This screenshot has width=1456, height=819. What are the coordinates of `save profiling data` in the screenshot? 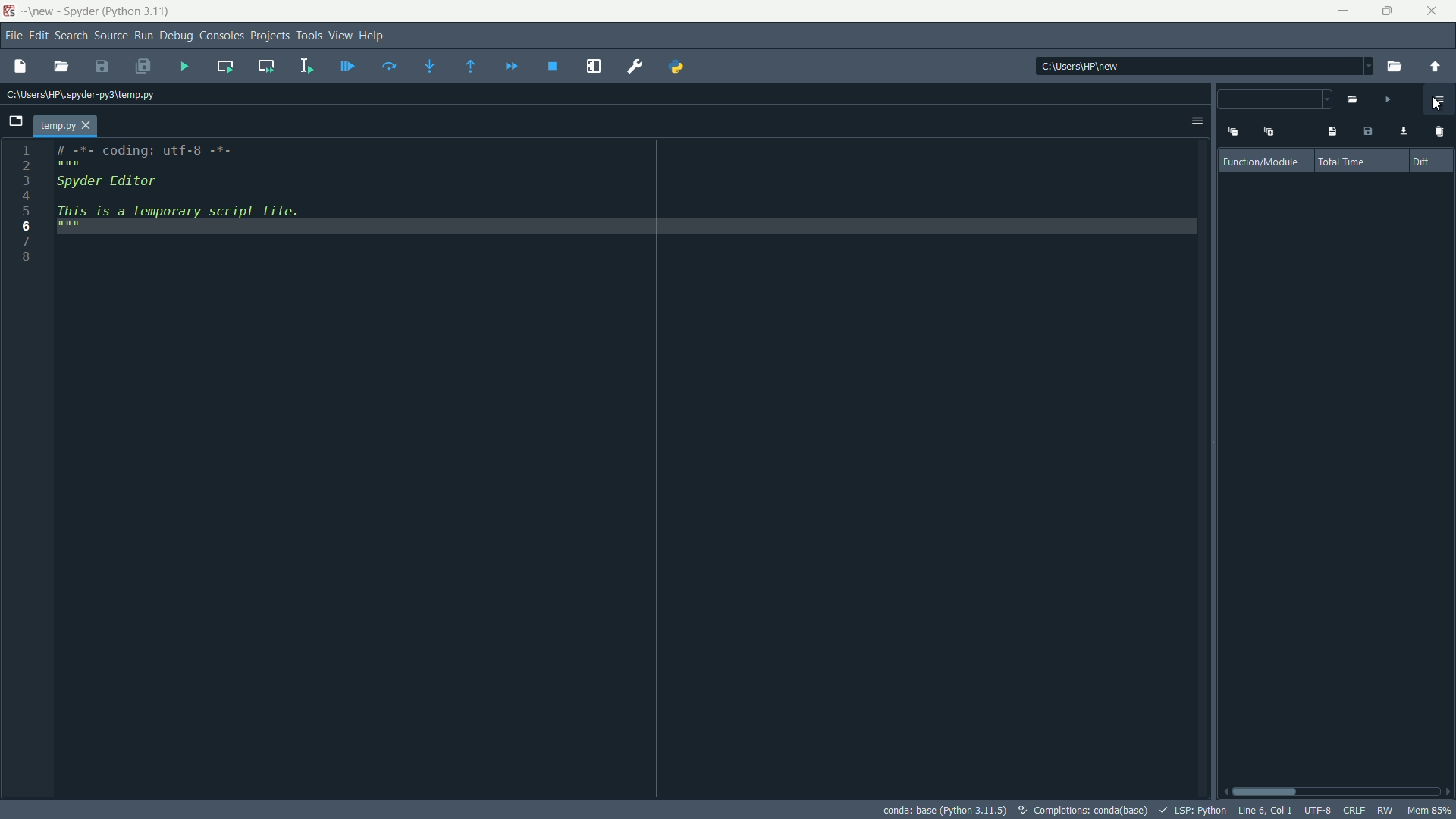 It's located at (1369, 132).